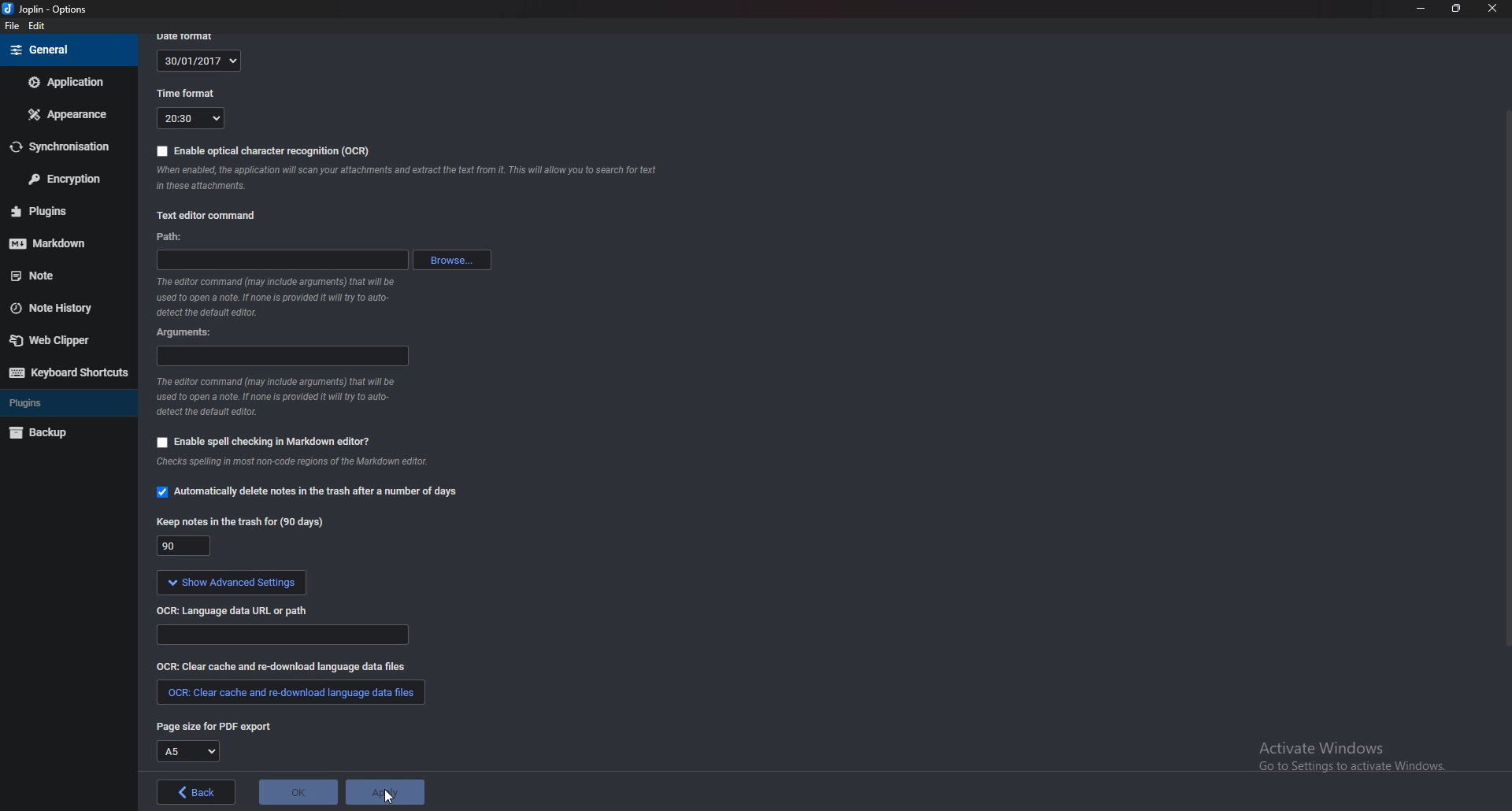 This screenshot has height=811, width=1512. Describe the element at coordinates (292, 462) in the screenshot. I see `Info on spell check` at that location.